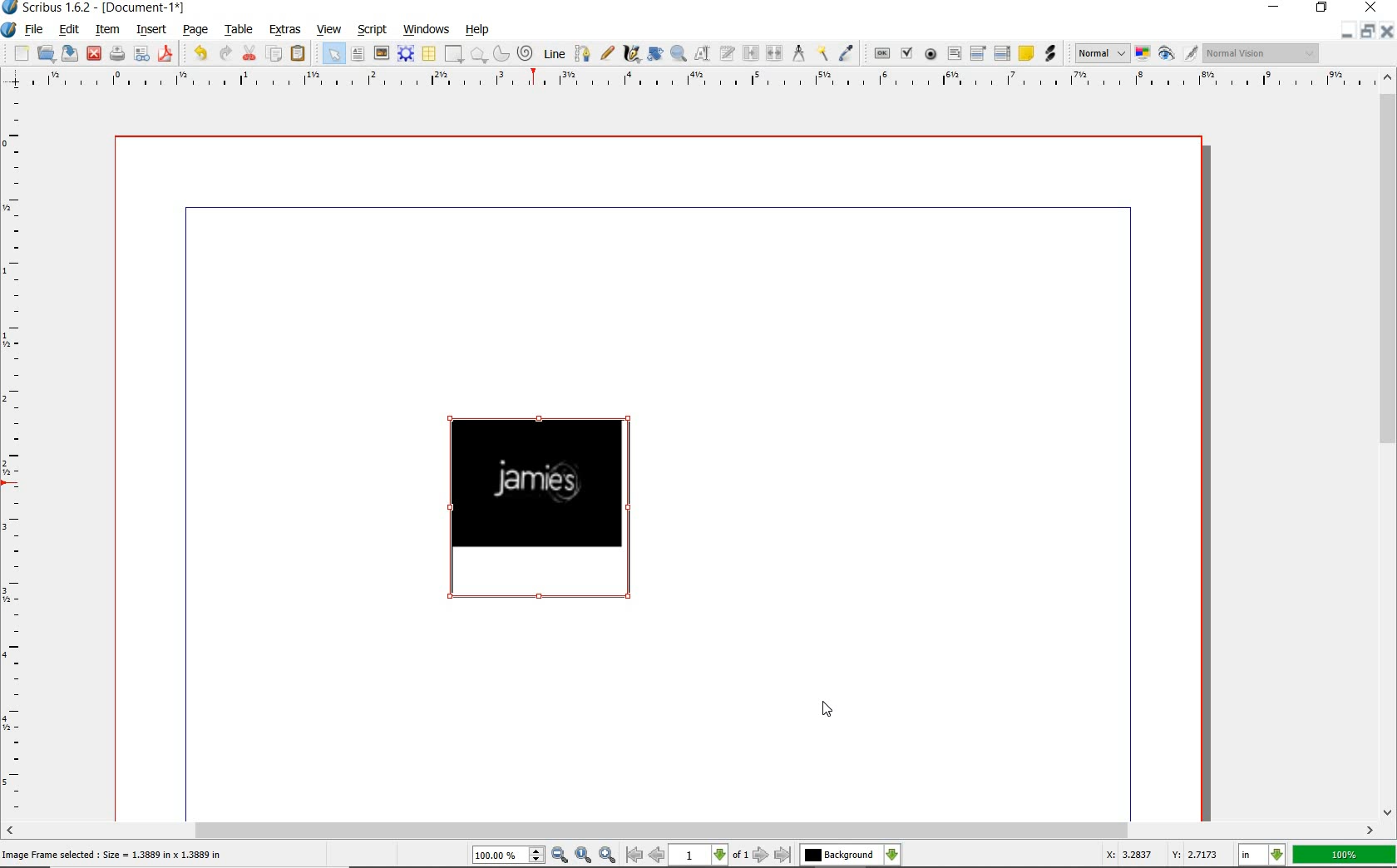 Image resolution: width=1397 pixels, height=868 pixels. Describe the element at coordinates (845, 53) in the screenshot. I see `eye dropper` at that location.